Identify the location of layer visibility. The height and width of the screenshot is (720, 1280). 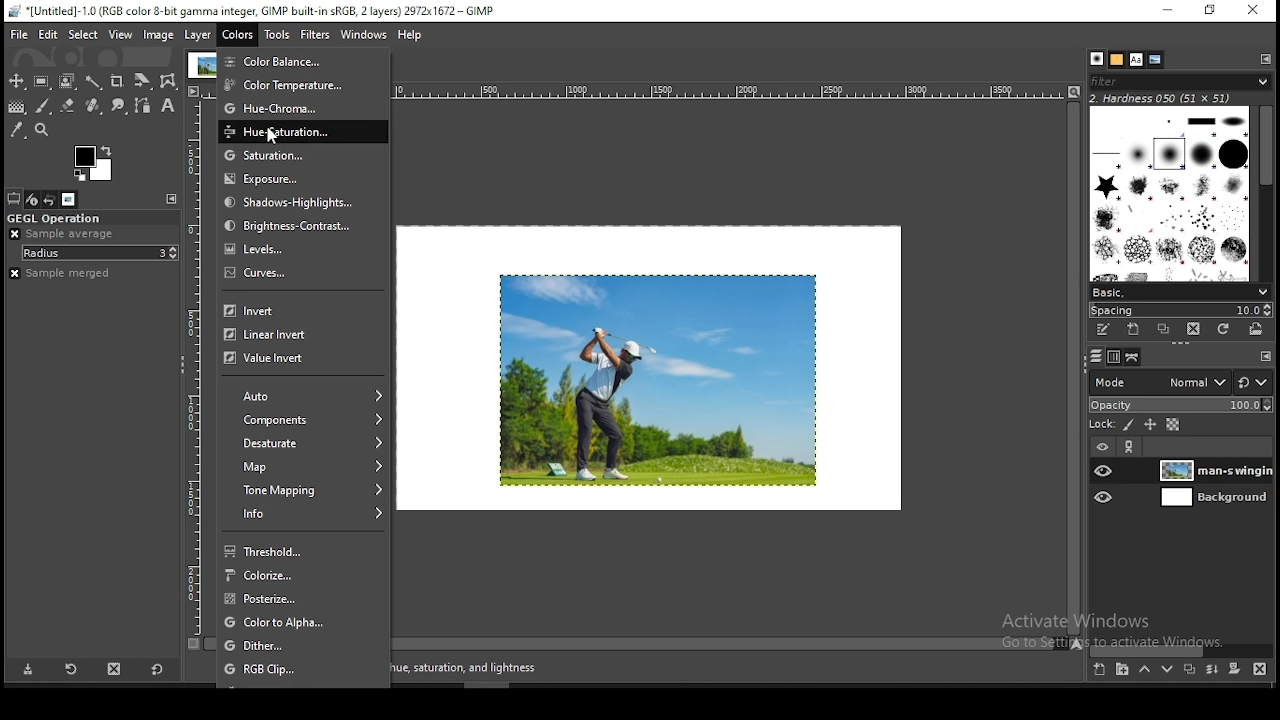
(1101, 448).